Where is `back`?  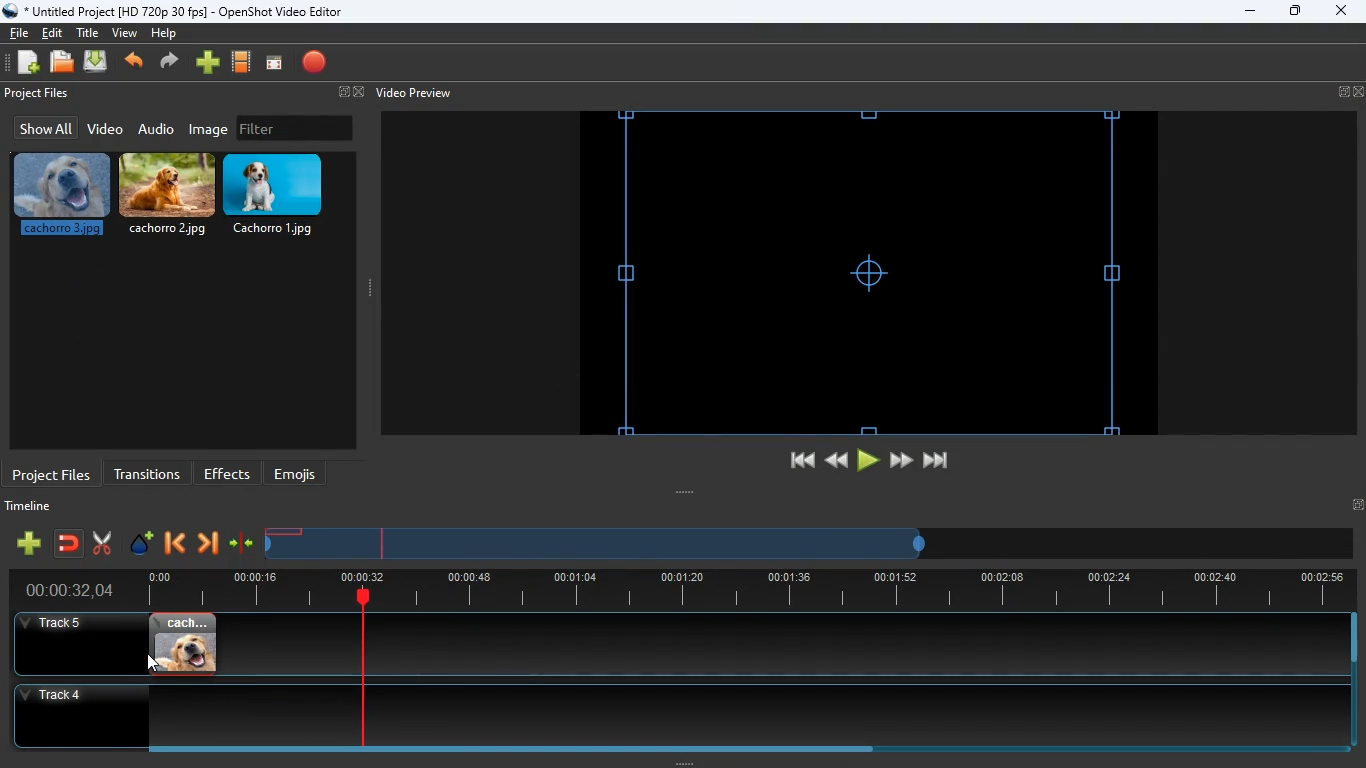 back is located at coordinates (136, 63).